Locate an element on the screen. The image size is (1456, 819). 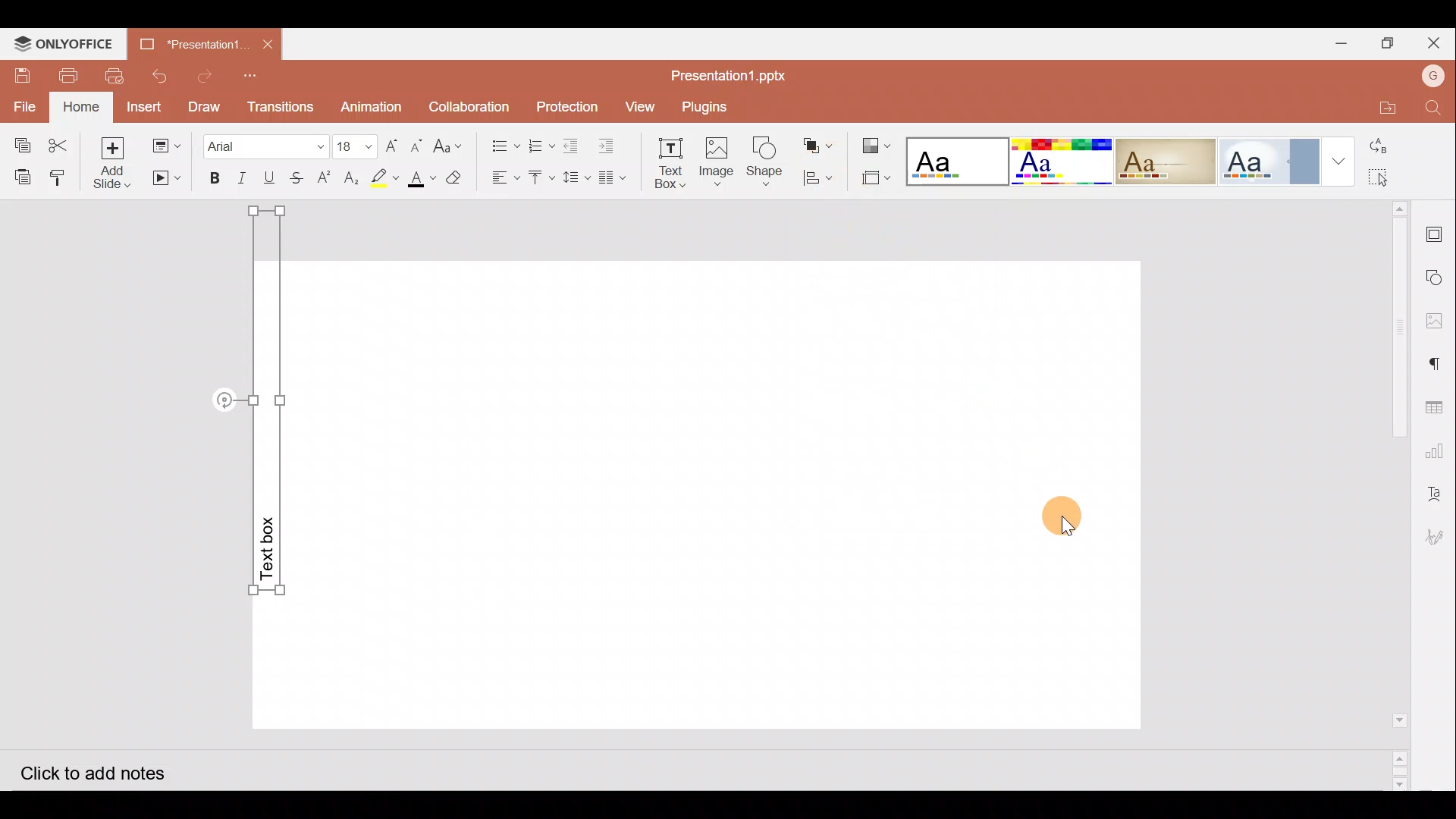
Align shape is located at coordinates (817, 176).